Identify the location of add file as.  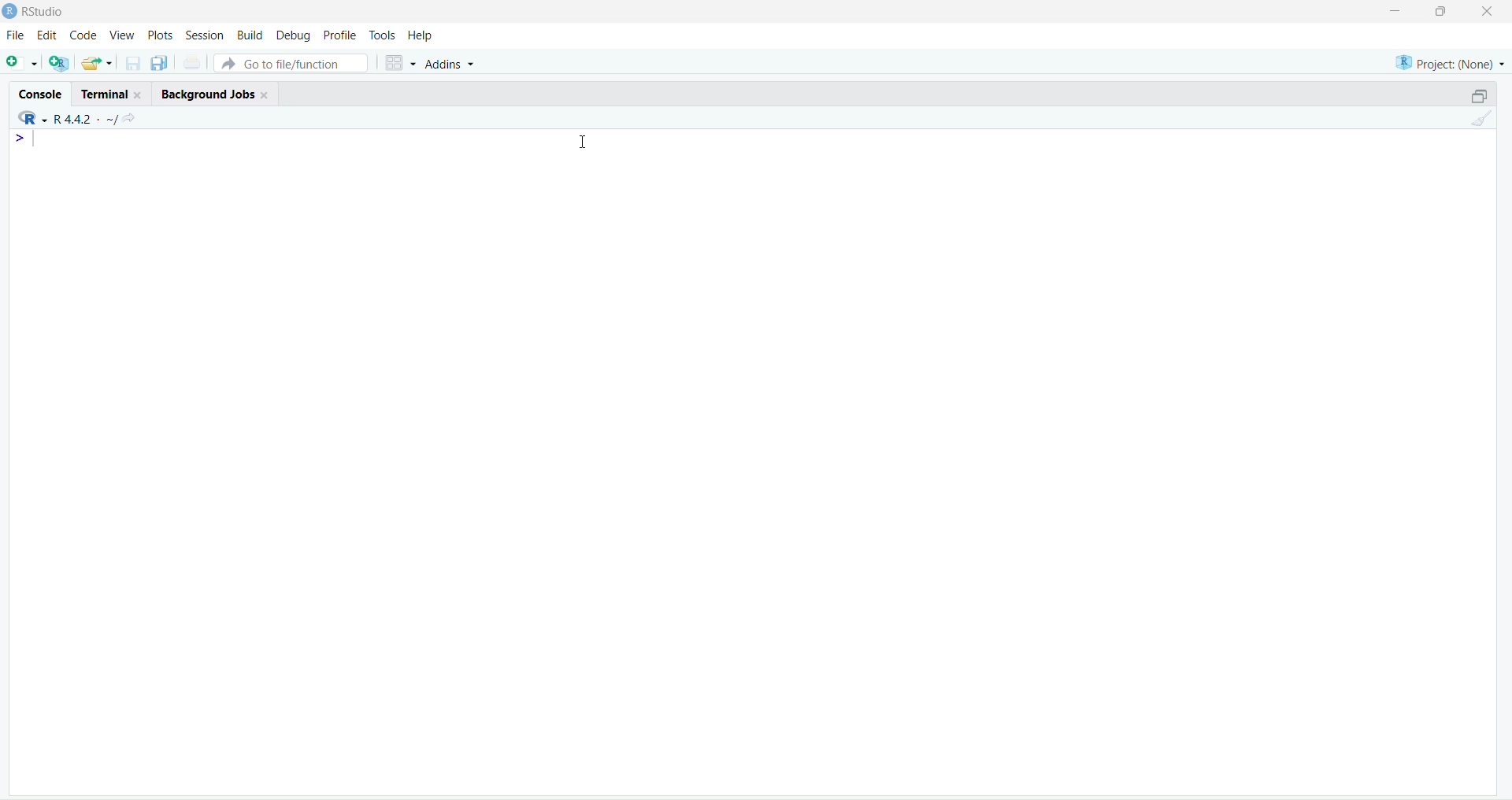
(23, 63).